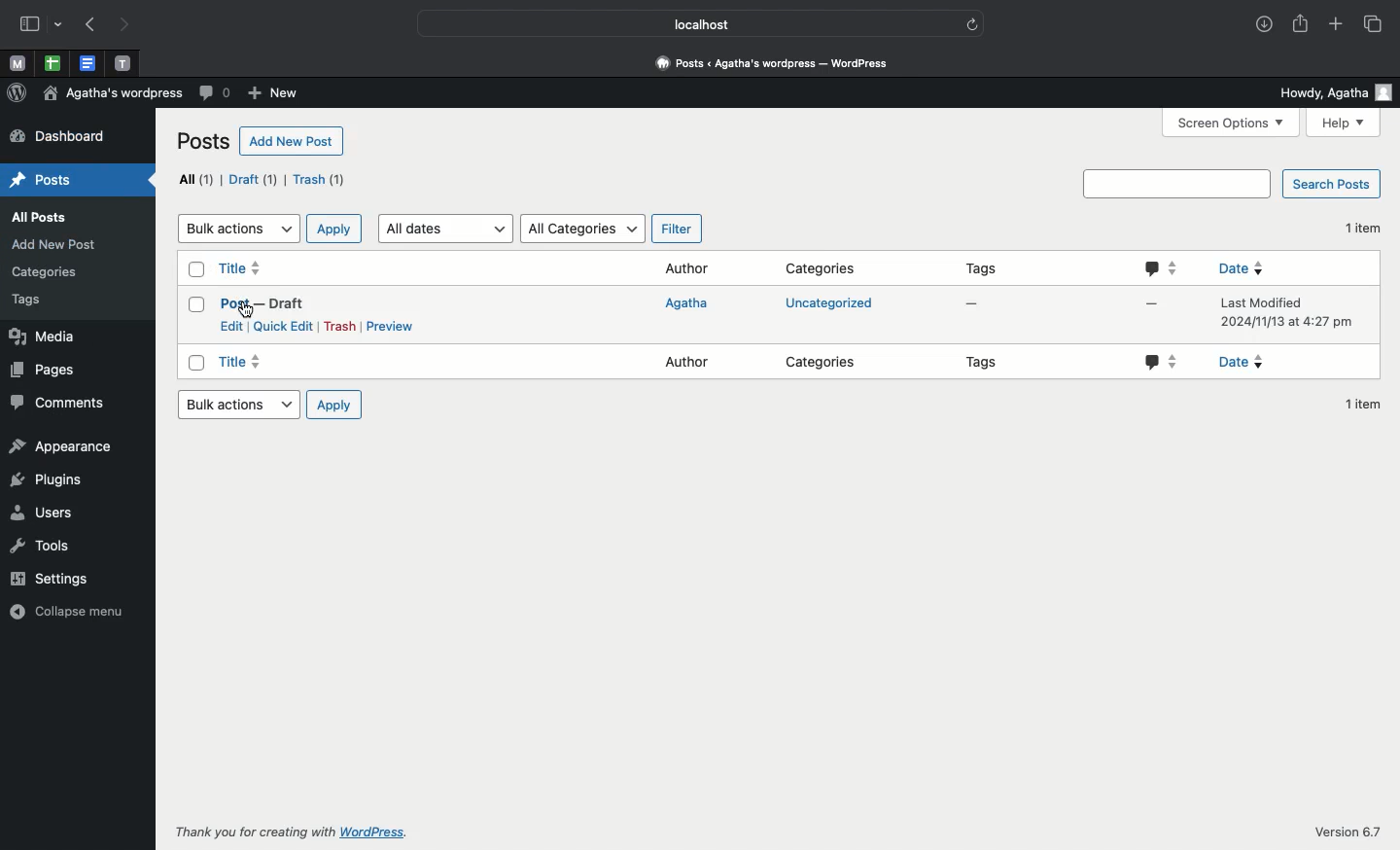 The height and width of the screenshot is (850, 1400). I want to click on Help, so click(1345, 124).